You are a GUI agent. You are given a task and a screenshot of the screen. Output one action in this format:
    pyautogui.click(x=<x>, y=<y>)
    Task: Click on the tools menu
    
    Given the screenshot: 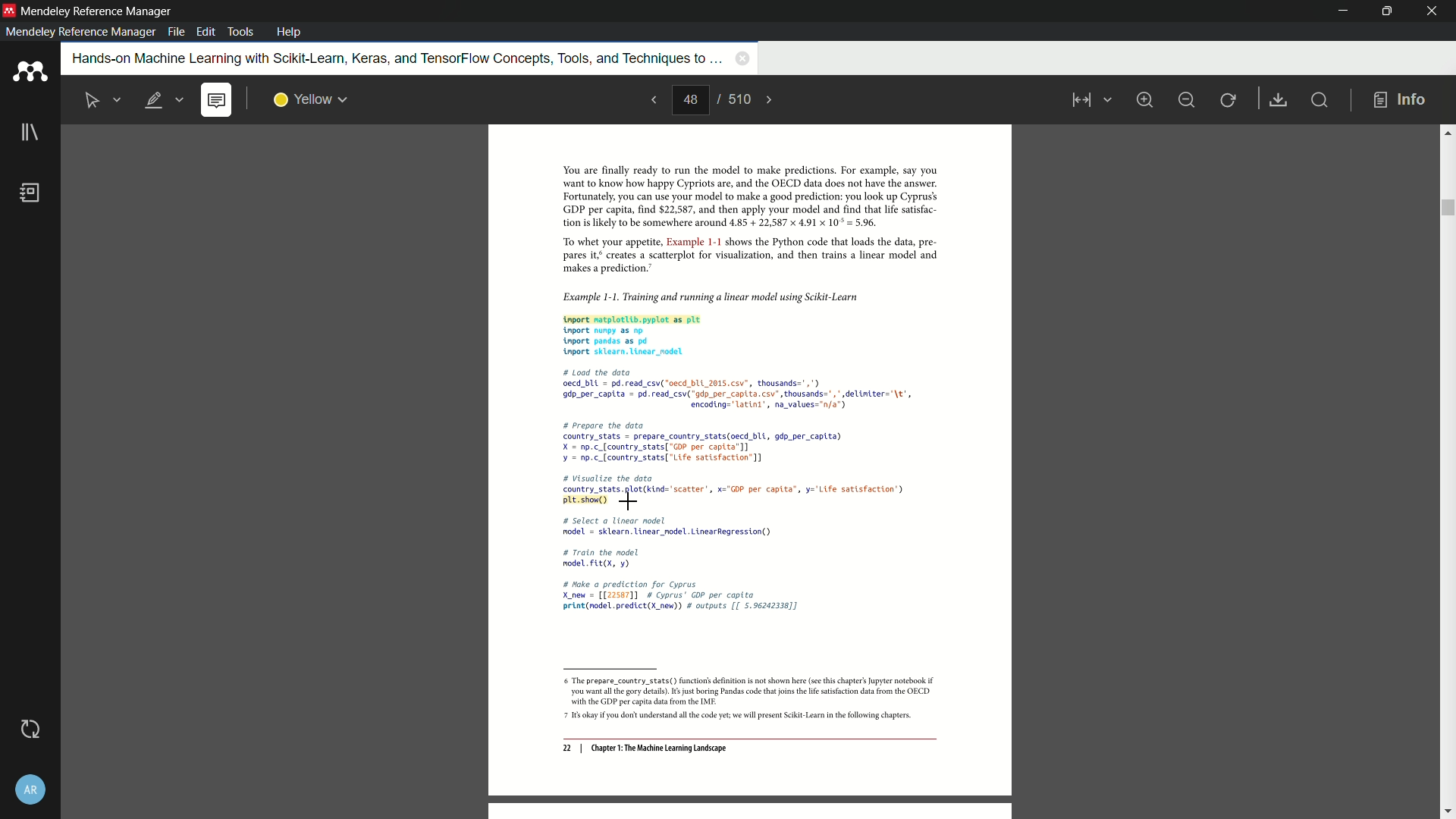 What is the action you would take?
    pyautogui.click(x=240, y=32)
    